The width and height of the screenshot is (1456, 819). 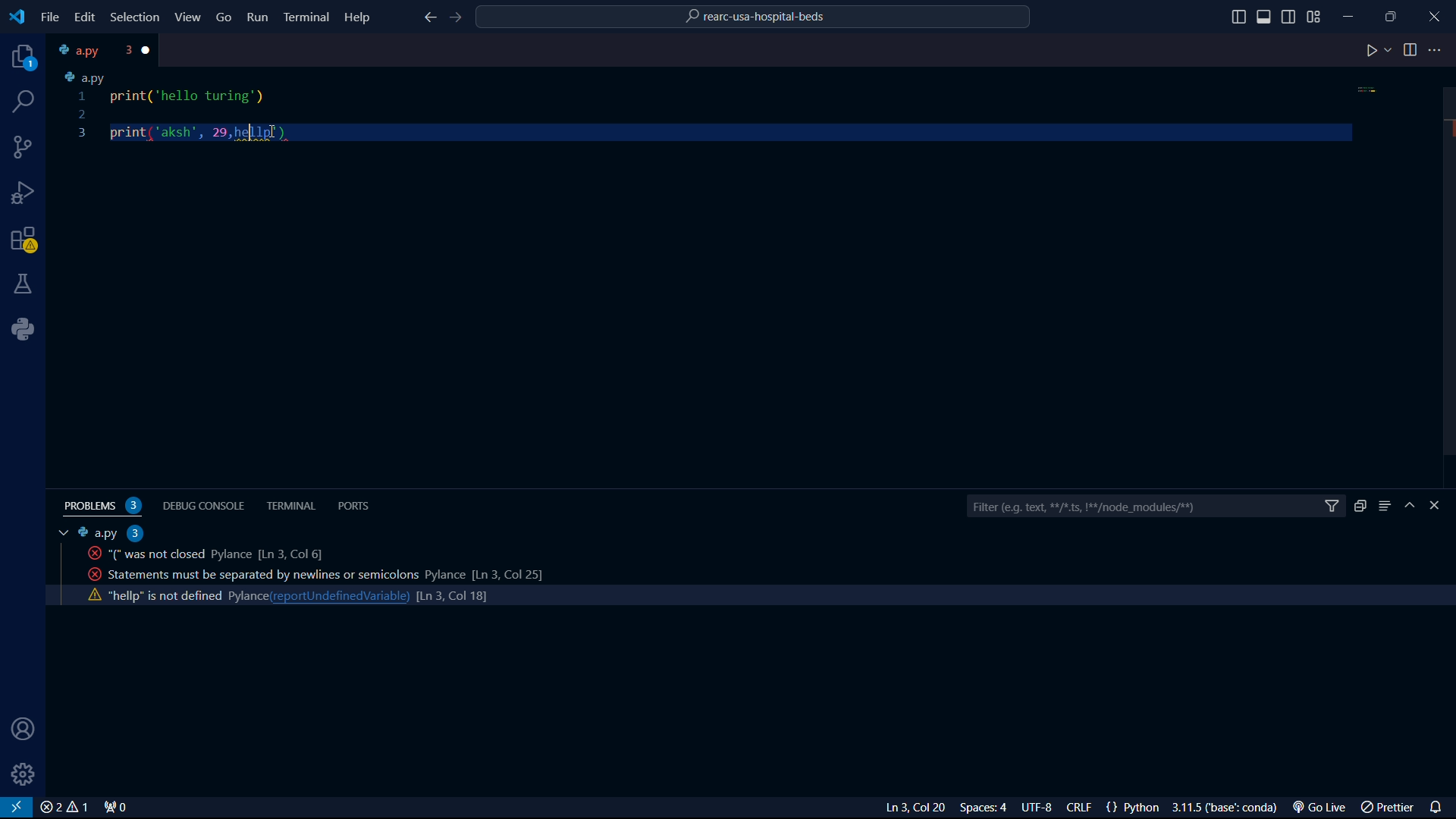 What do you see at coordinates (1290, 15) in the screenshot?
I see `toggle sidebar` at bounding box center [1290, 15].